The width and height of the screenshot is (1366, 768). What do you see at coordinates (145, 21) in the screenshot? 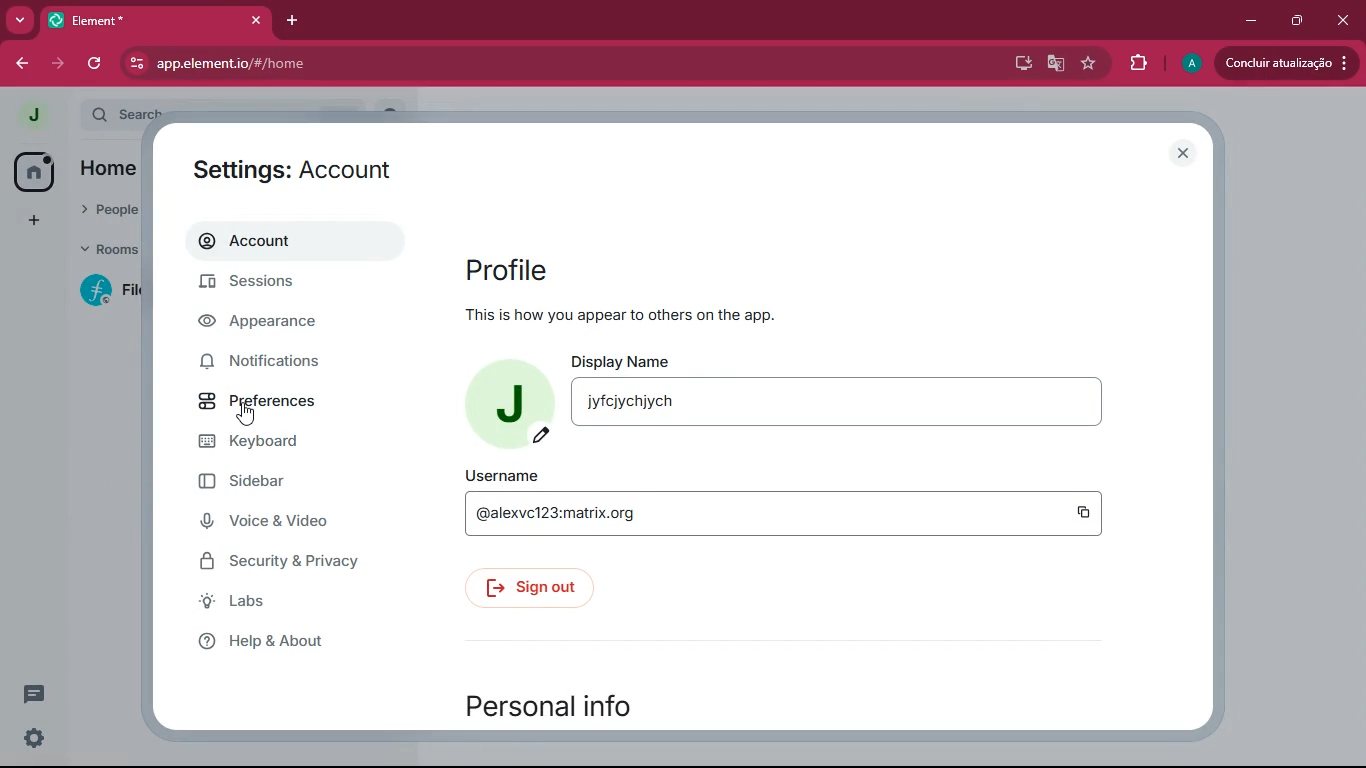
I see `tab` at bounding box center [145, 21].